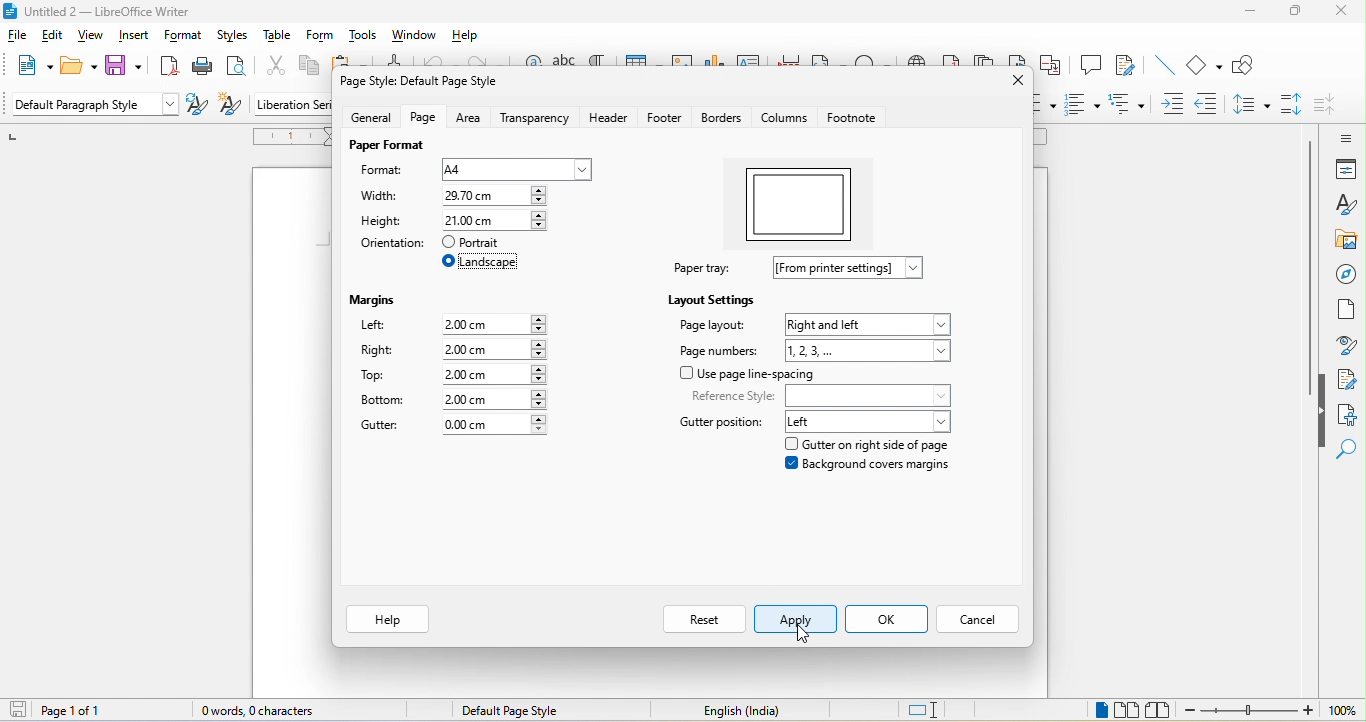 The height and width of the screenshot is (722, 1366). What do you see at coordinates (667, 118) in the screenshot?
I see `footer` at bounding box center [667, 118].